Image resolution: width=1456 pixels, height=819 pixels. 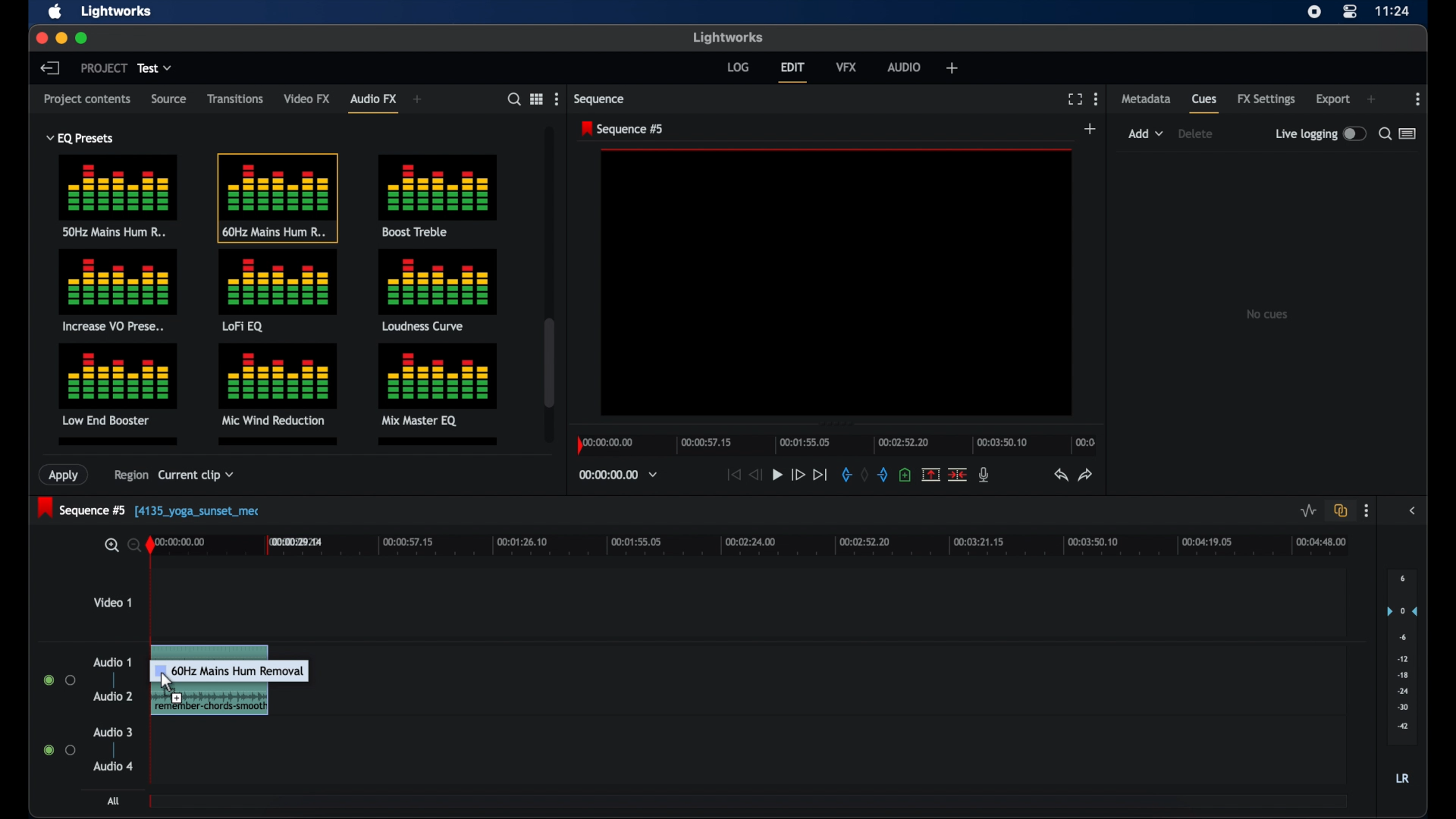 I want to click on edit, so click(x=792, y=72).